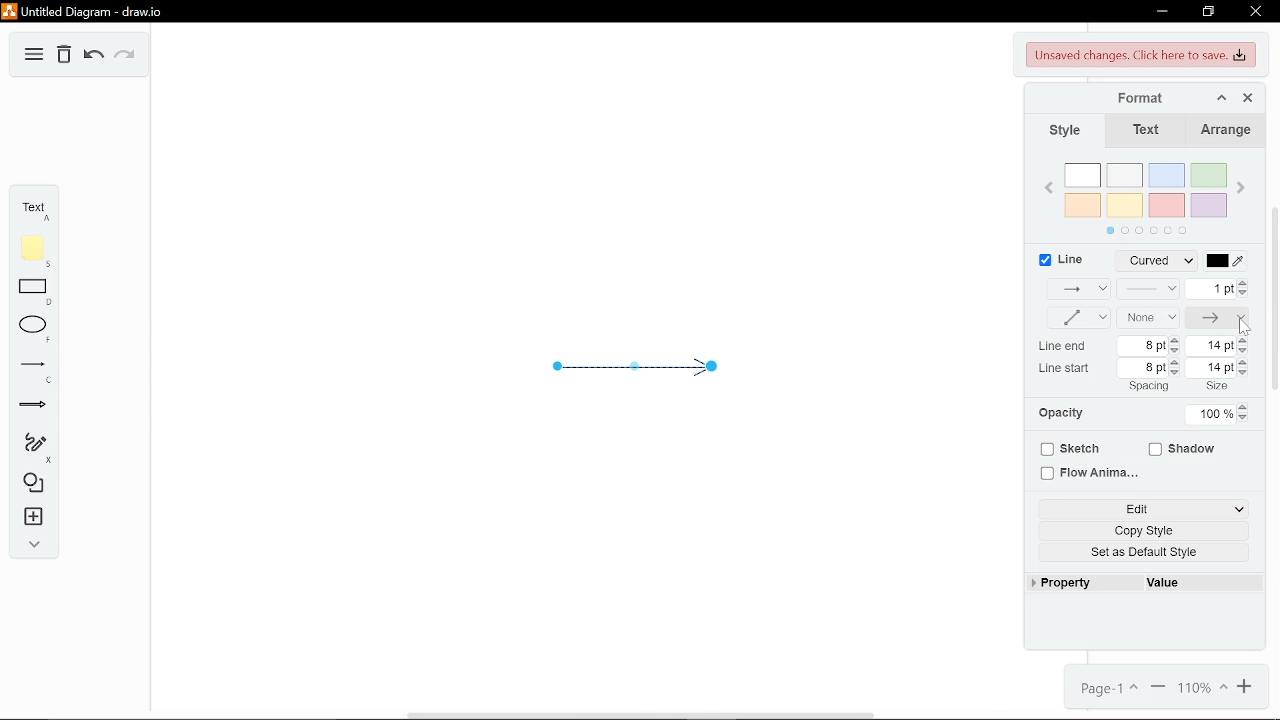 The height and width of the screenshot is (720, 1280). Describe the element at coordinates (1241, 189) in the screenshot. I see `Next` at that location.